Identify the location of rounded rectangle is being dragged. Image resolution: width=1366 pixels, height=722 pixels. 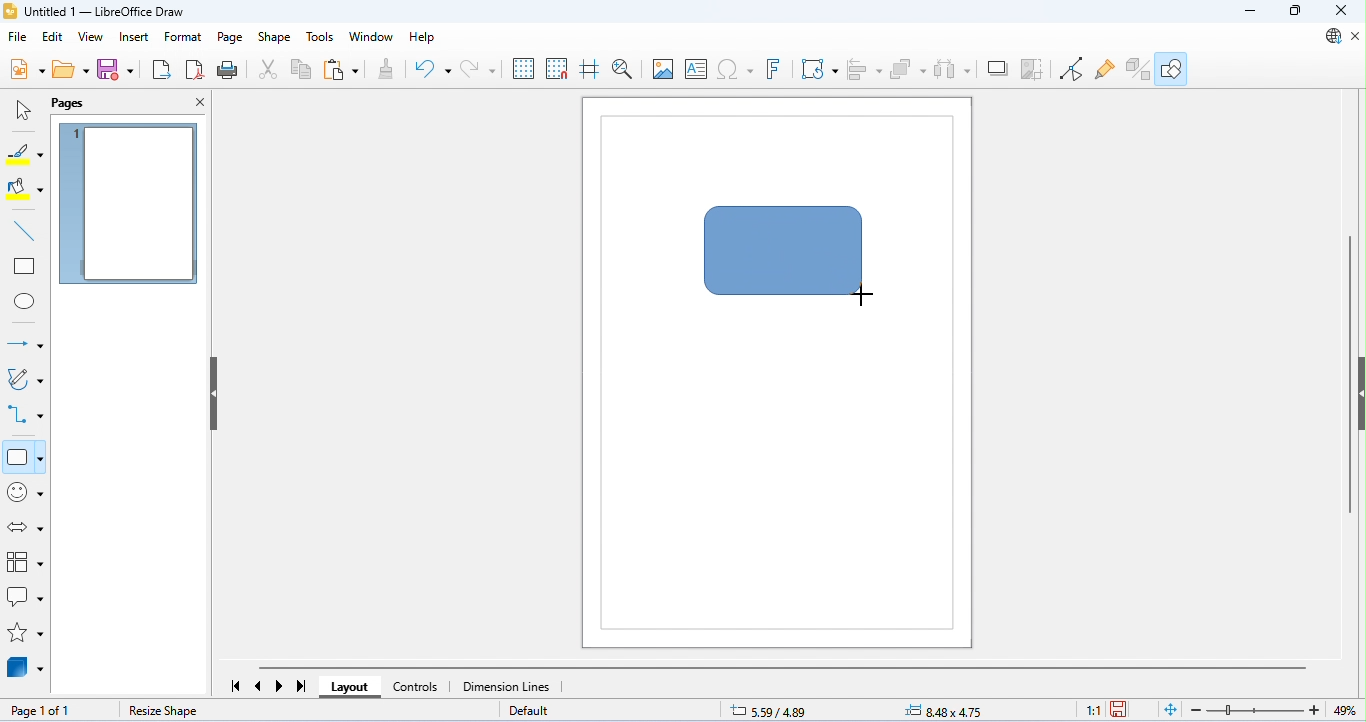
(787, 254).